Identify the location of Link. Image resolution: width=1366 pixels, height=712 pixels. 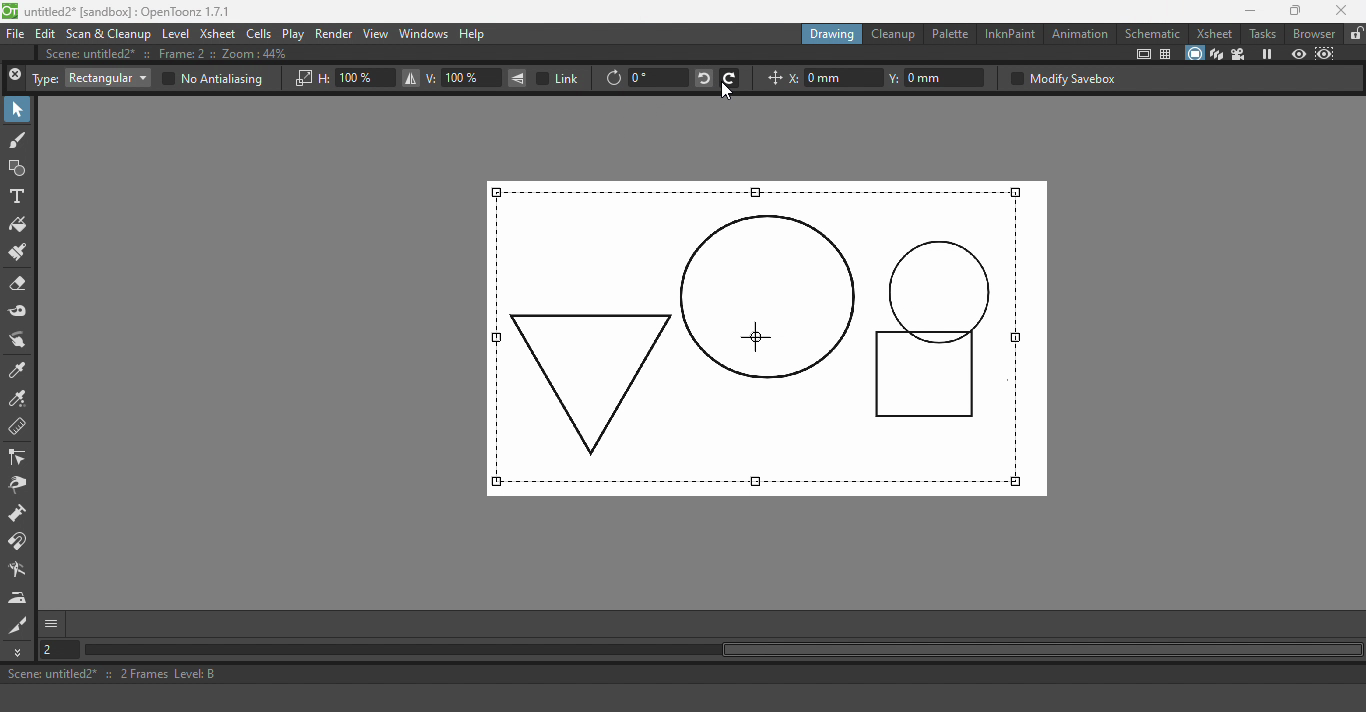
(560, 78).